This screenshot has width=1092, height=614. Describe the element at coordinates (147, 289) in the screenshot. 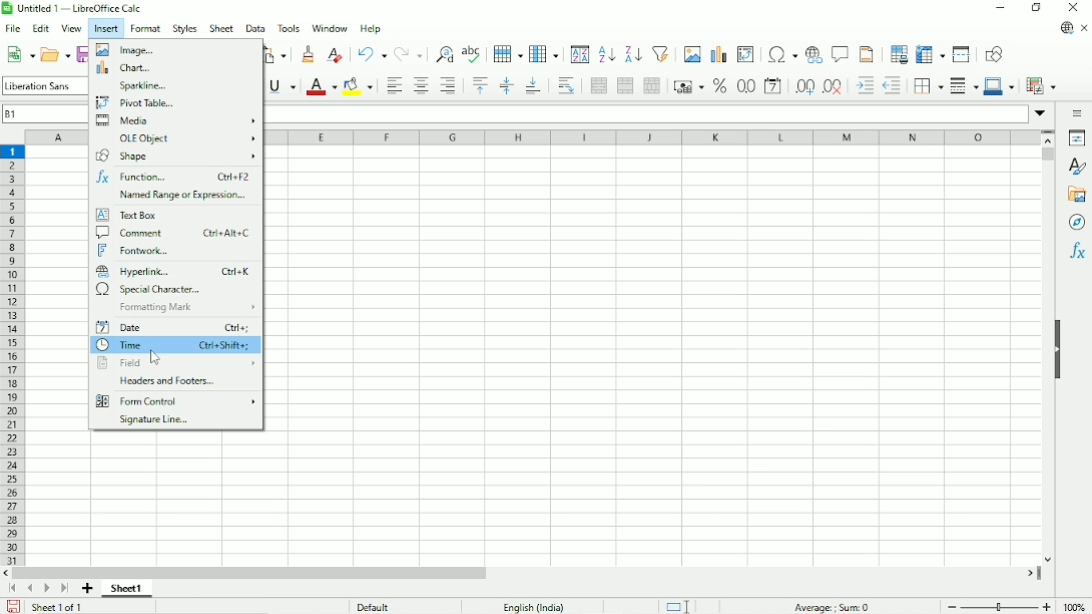

I see `Special characters` at that location.